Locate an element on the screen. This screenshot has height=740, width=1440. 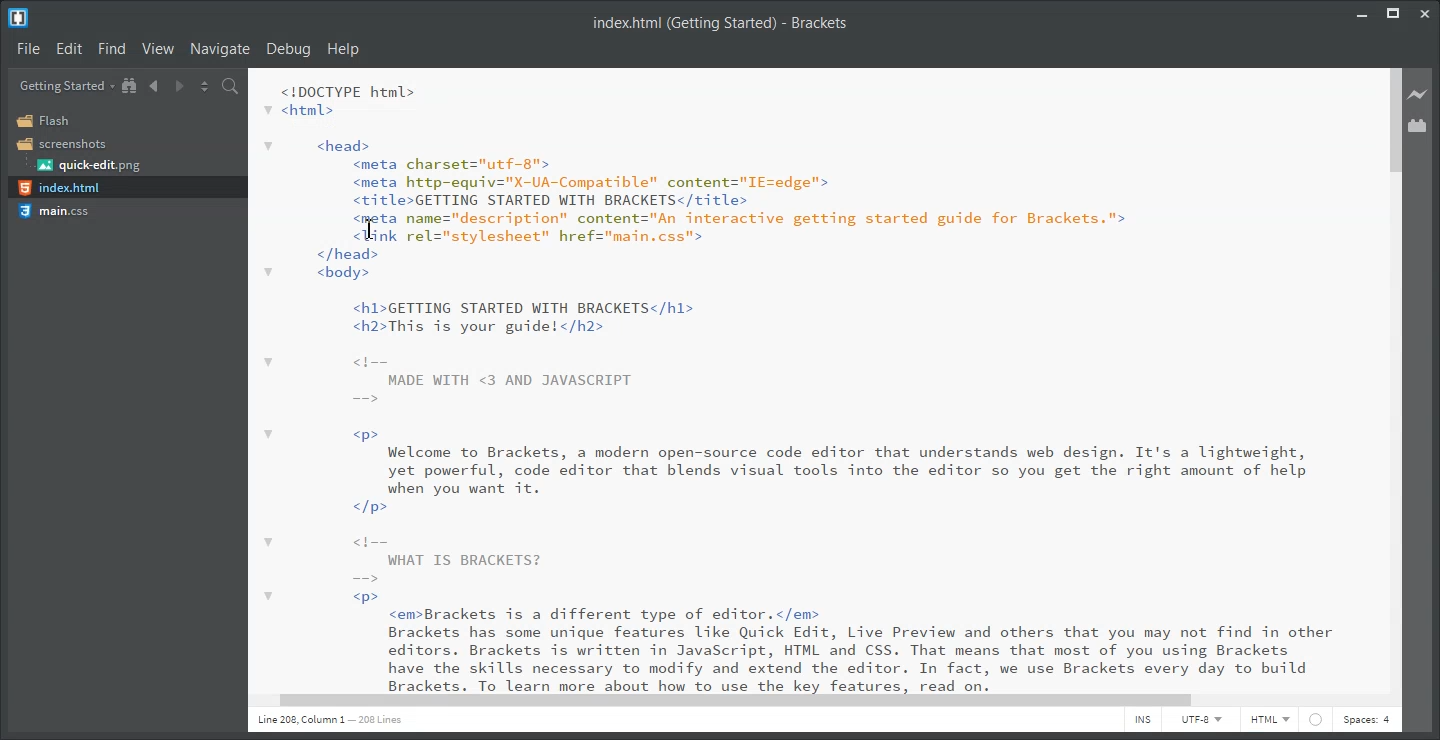
Horizontal Scroll Bar is located at coordinates (808, 700).